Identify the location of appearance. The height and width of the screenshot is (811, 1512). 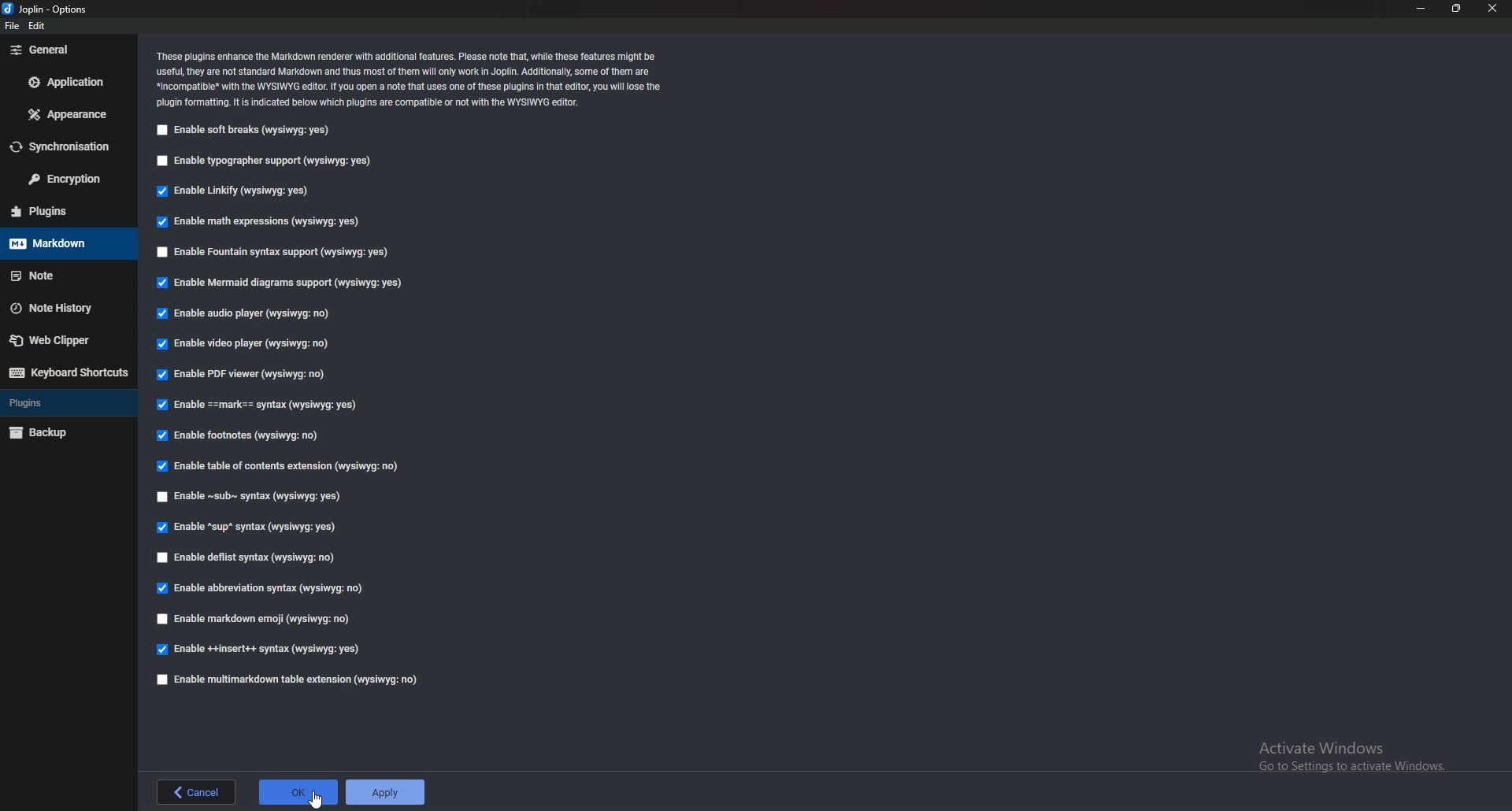
(64, 114).